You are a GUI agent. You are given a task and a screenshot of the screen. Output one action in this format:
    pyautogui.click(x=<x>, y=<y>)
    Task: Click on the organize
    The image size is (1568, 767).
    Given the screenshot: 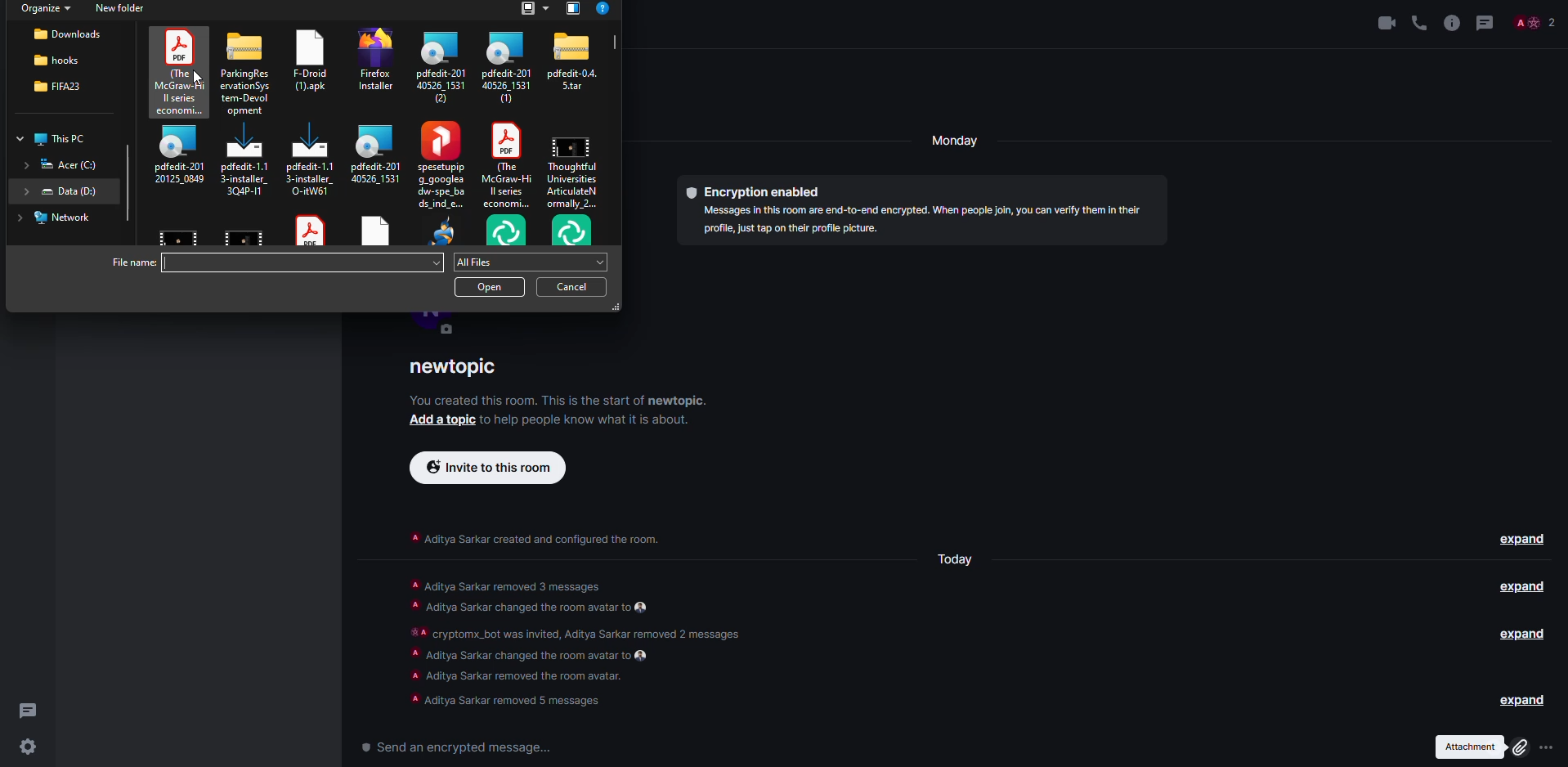 What is the action you would take?
    pyautogui.click(x=47, y=10)
    